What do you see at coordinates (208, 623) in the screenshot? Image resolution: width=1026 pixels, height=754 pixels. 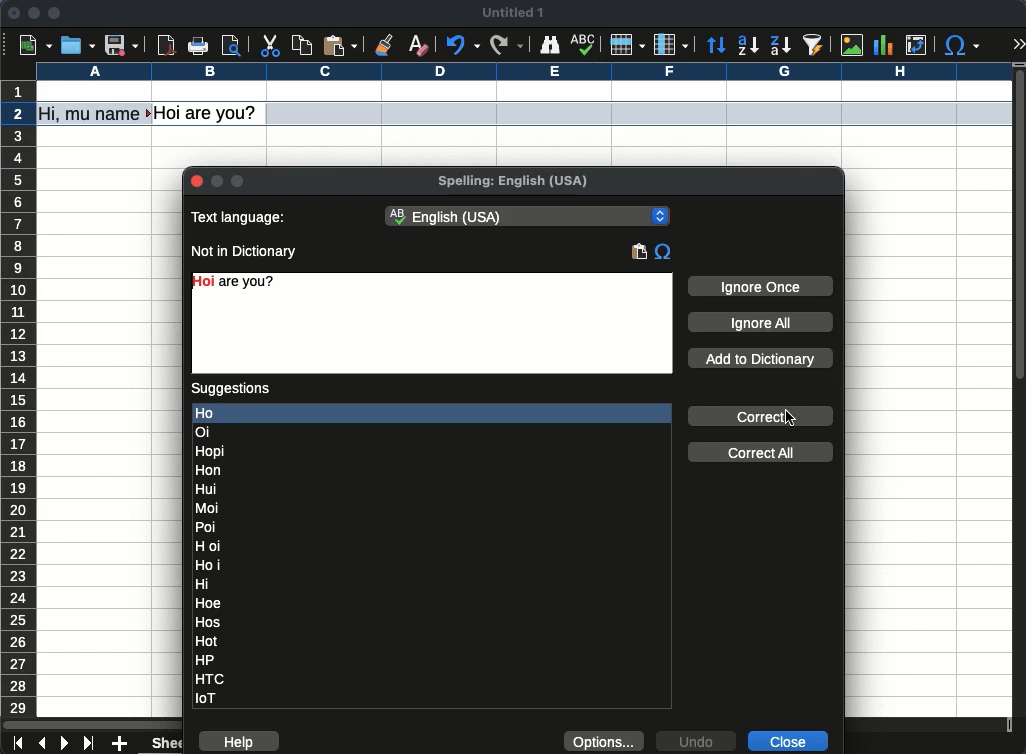 I see `Hos` at bounding box center [208, 623].